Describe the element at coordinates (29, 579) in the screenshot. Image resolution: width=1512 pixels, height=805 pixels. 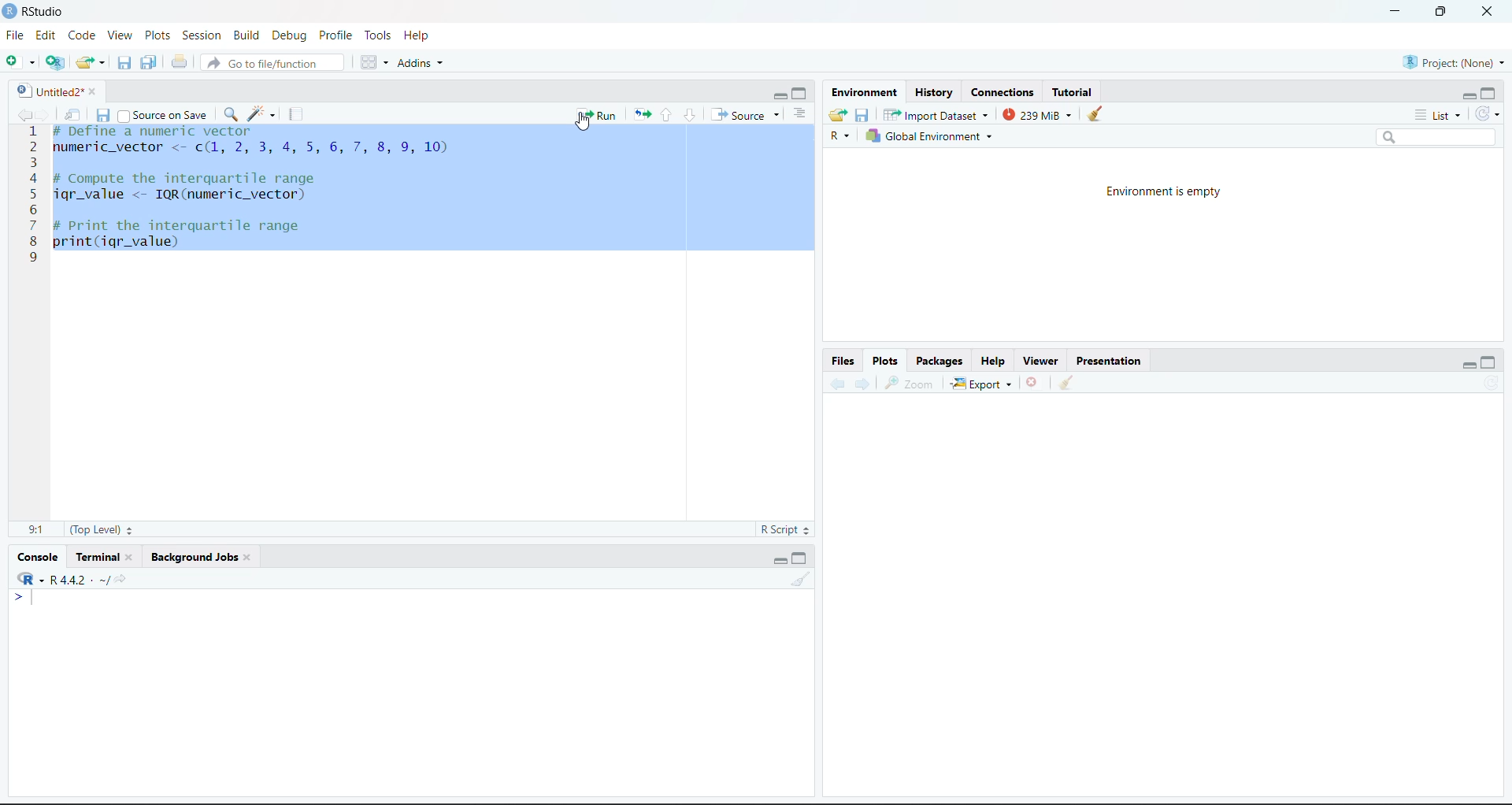
I see `R` at that location.